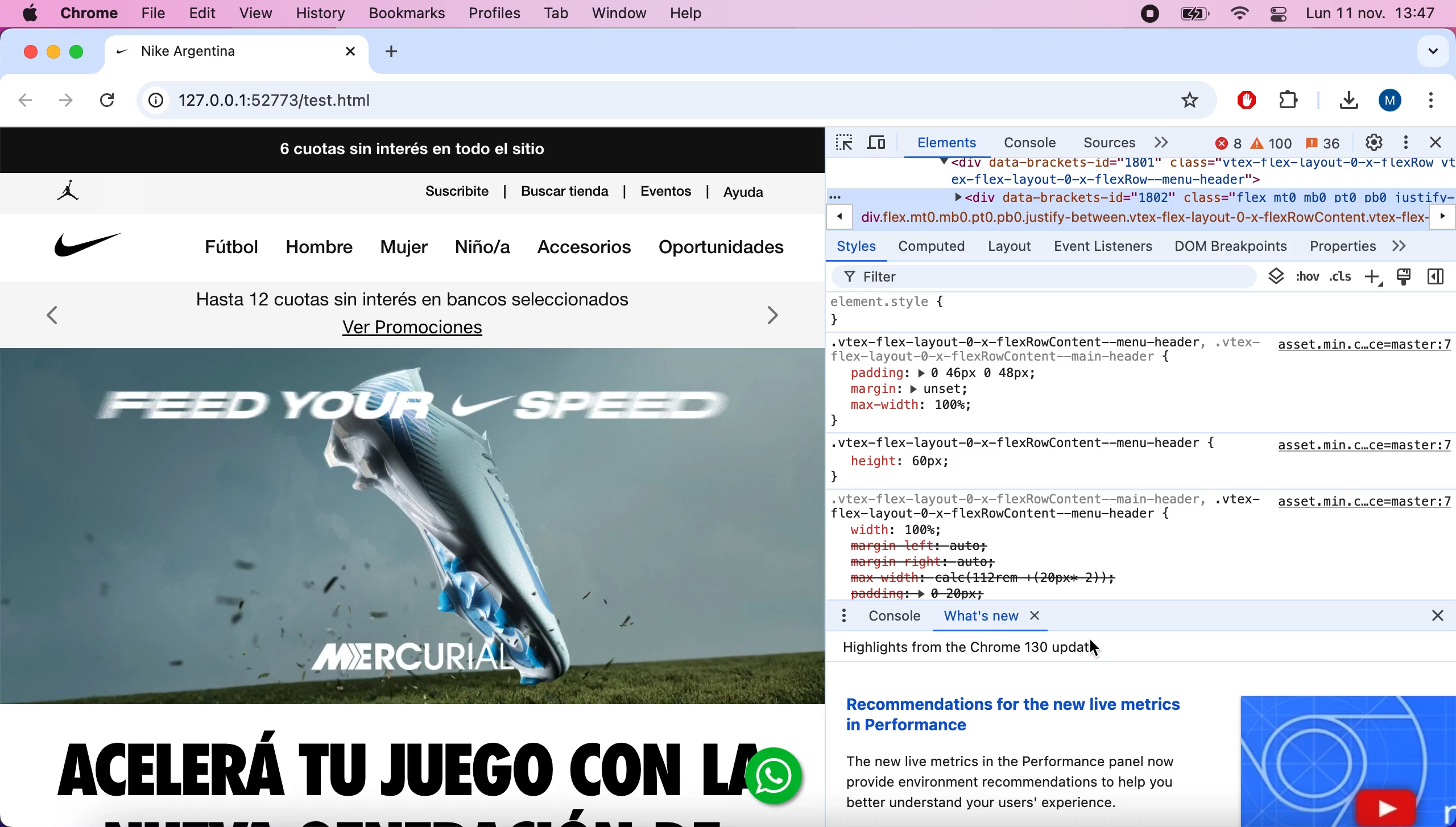  What do you see at coordinates (1415, 248) in the screenshot?
I see `more` at bounding box center [1415, 248].